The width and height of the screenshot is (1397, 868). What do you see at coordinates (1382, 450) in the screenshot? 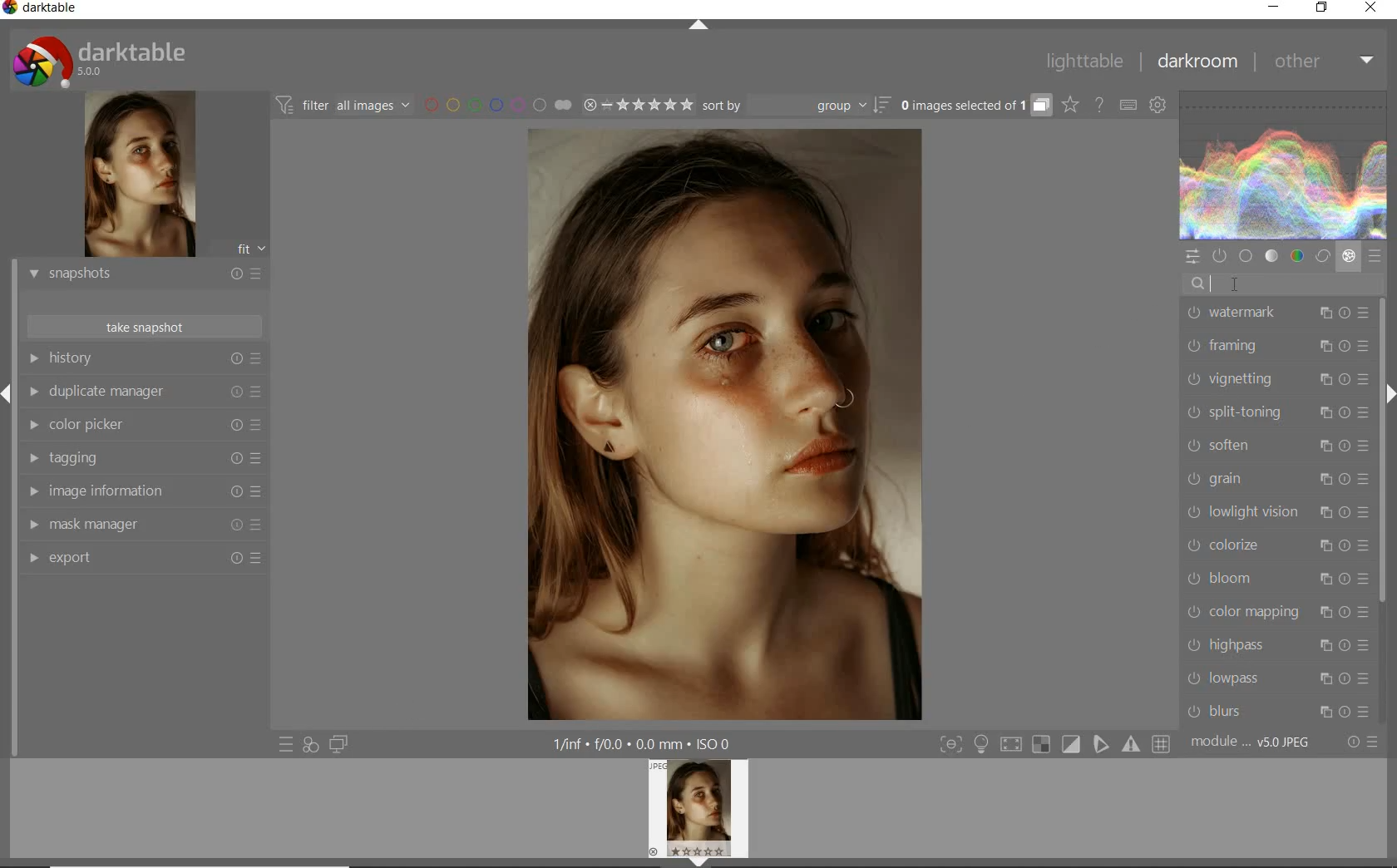
I see `scrollbar` at bounding box center [1382, 450].